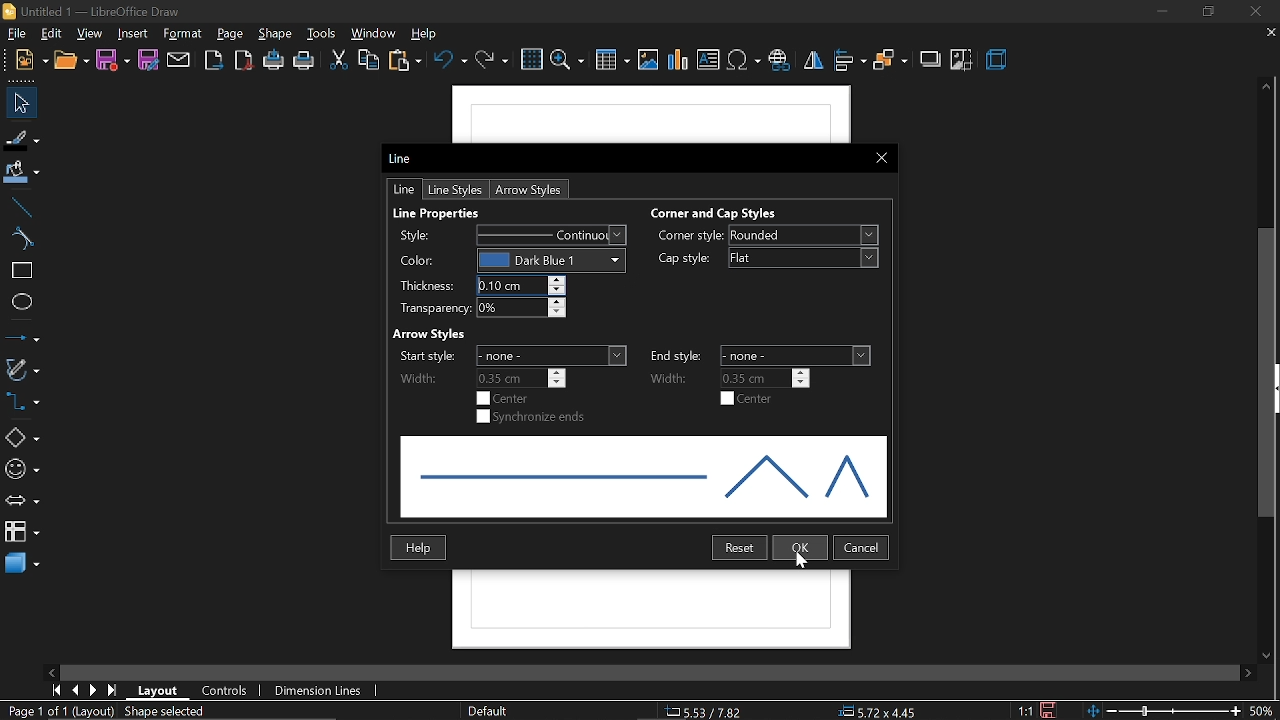 The width and height of the screenshot is (1280, 720). What do you see at coordinates (369, 59) in the screenshot?
I see `copy` at bounding box center [369, 59].